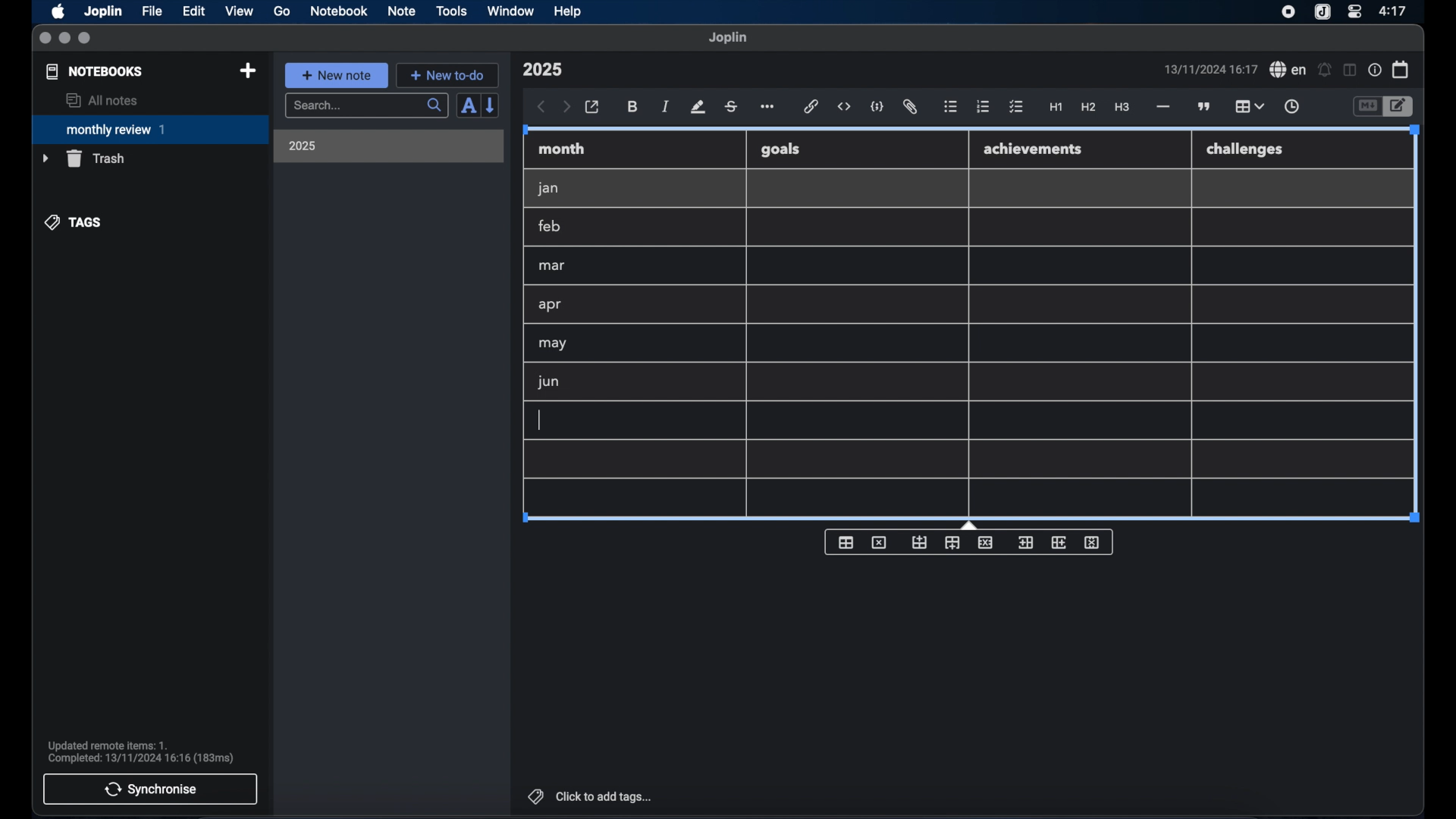 The height and width of the screenshot is (819, 1456). I want to click on maximize, so click(86, 39).